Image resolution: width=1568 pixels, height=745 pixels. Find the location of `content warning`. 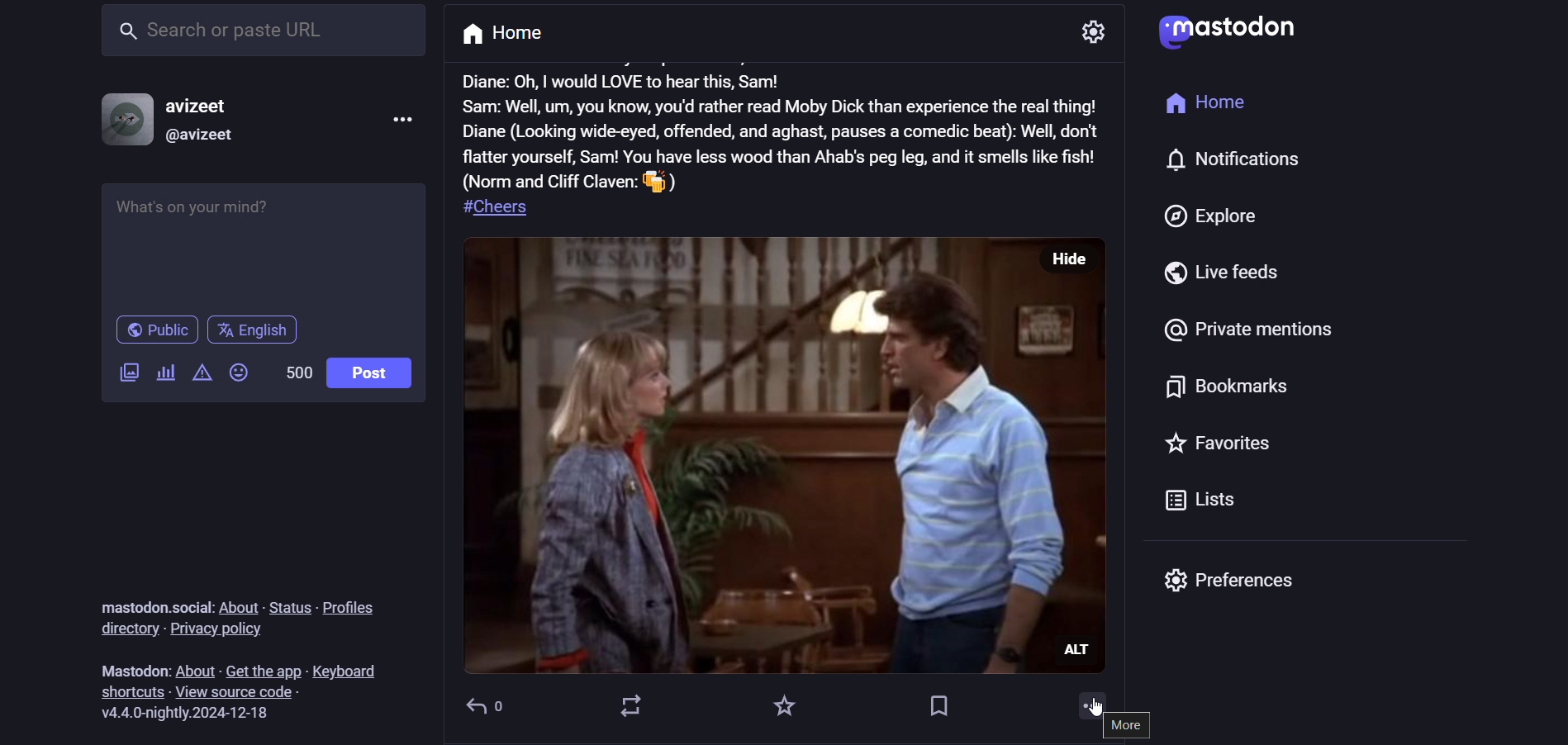

content warning is located at coordinates (201, 373).